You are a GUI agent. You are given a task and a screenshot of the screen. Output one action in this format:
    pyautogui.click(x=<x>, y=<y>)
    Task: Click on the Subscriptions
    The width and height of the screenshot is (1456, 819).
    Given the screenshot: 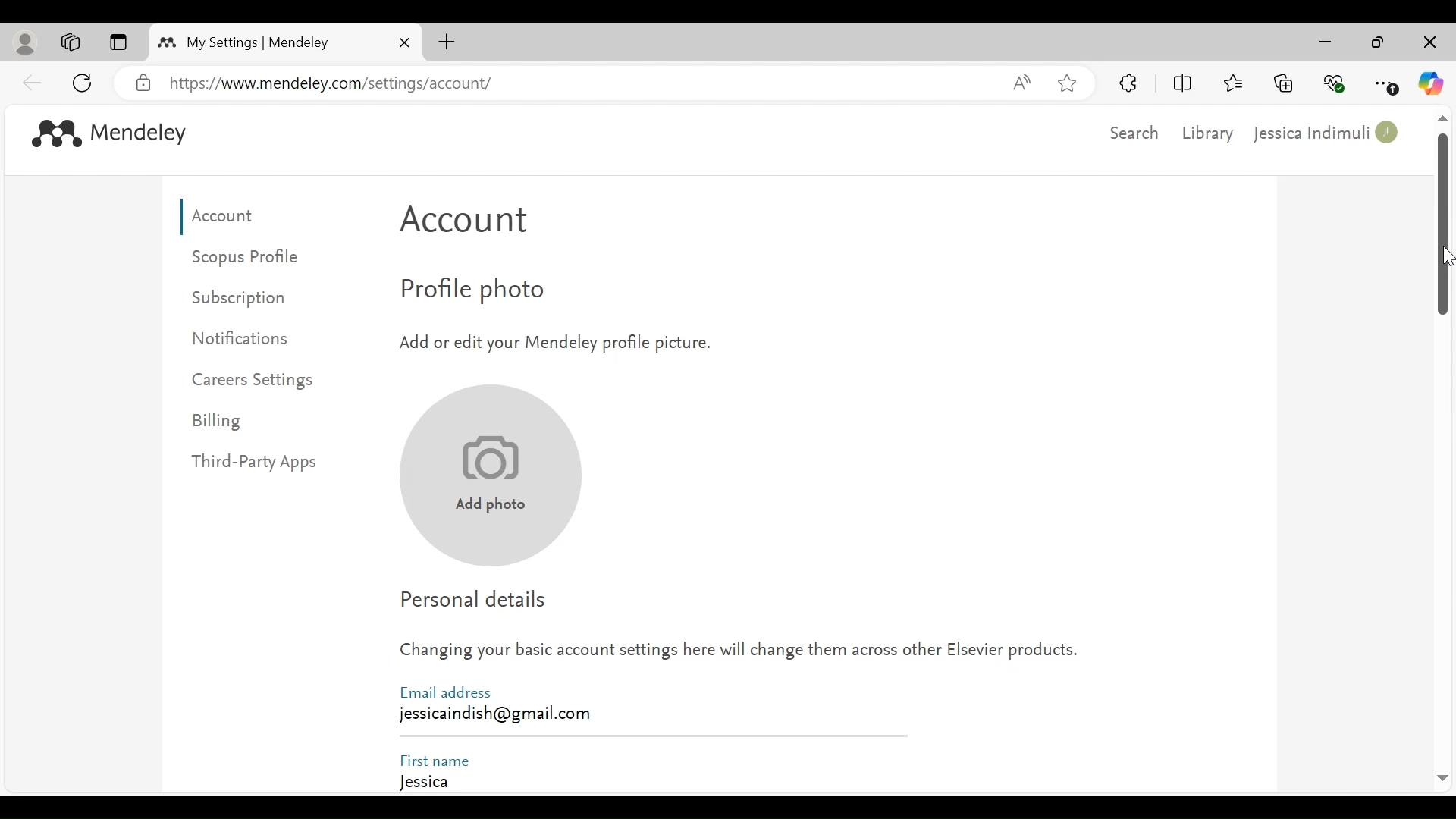 What is the action you would take?
    pyautogui.click(x=249, y=298)
    